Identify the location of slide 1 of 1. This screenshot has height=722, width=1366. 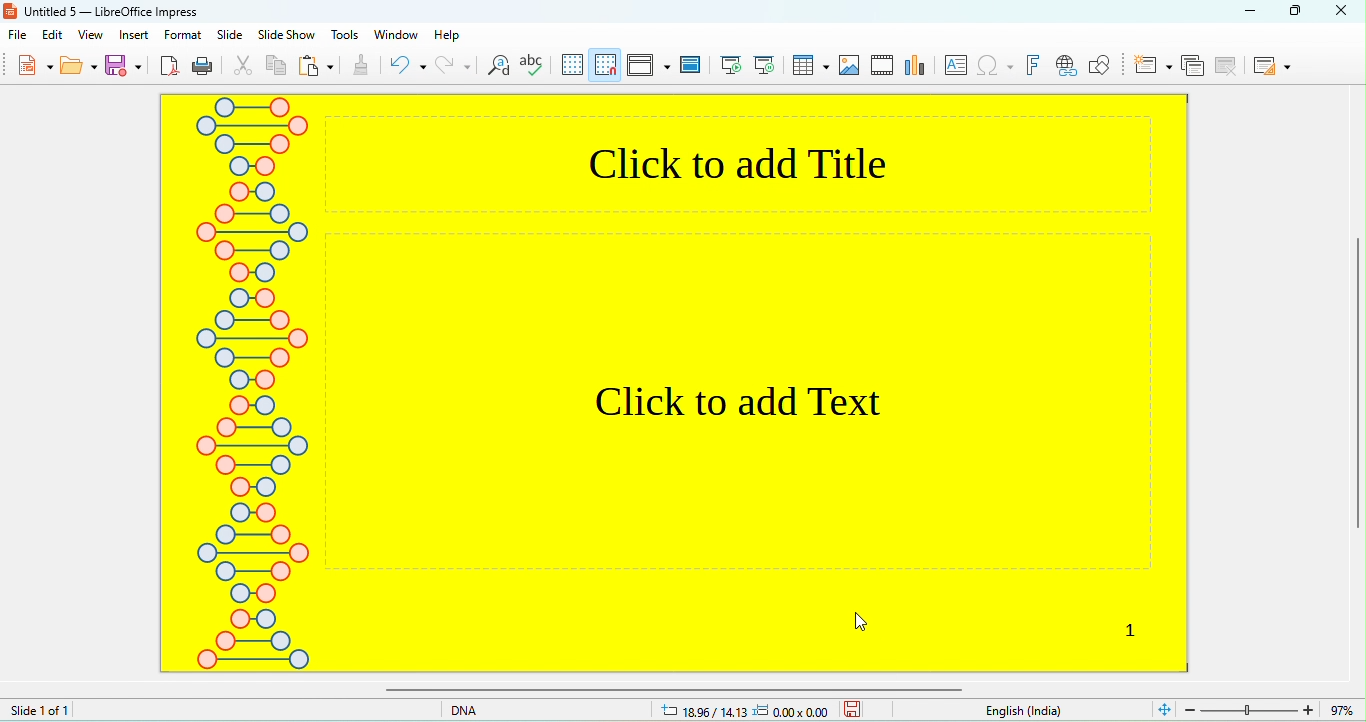
(40, 709).